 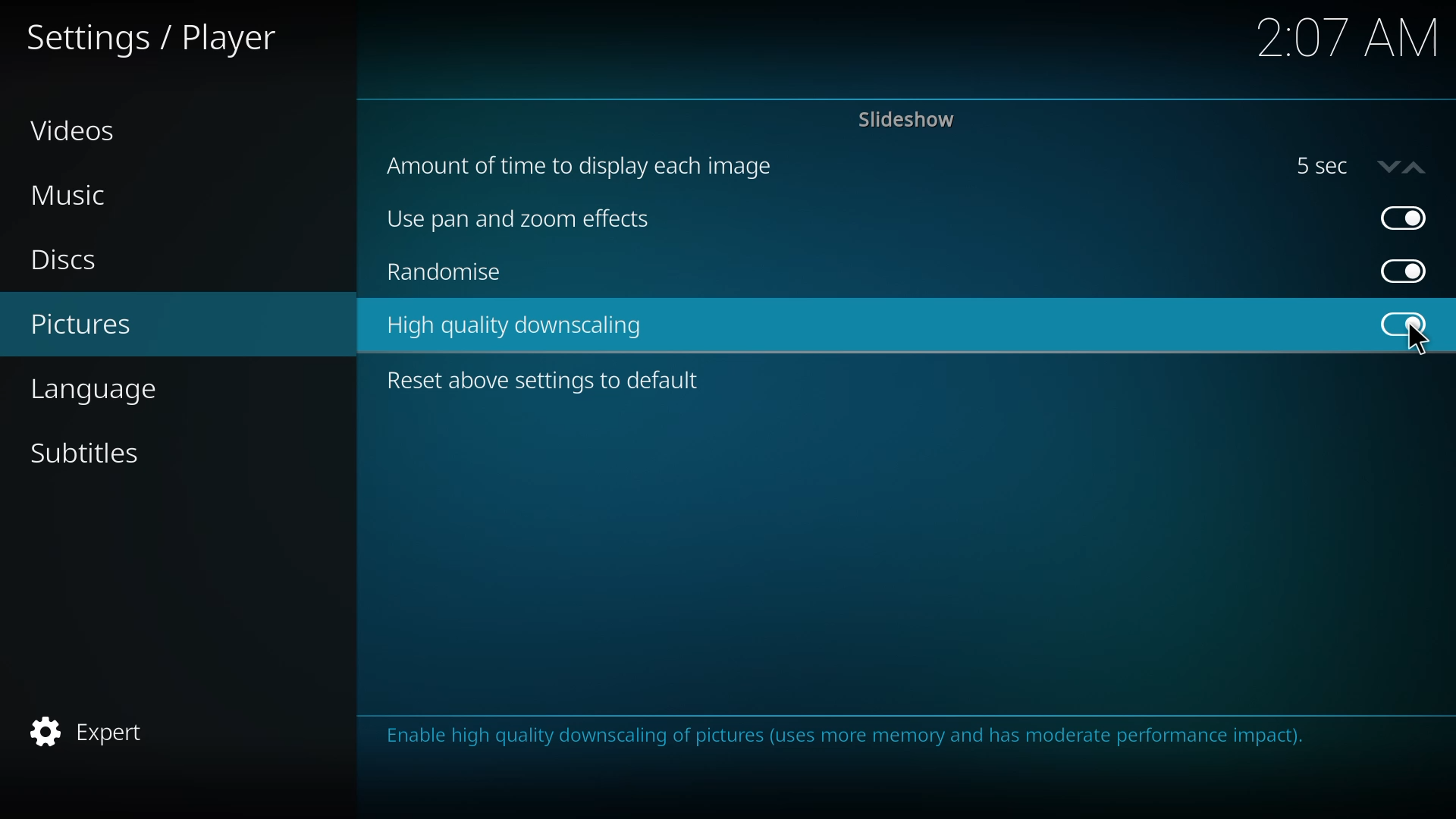 What do you see at coordinates (86, 325) in the screenshot?
I see `pictures` at bounding box center [86, 325].